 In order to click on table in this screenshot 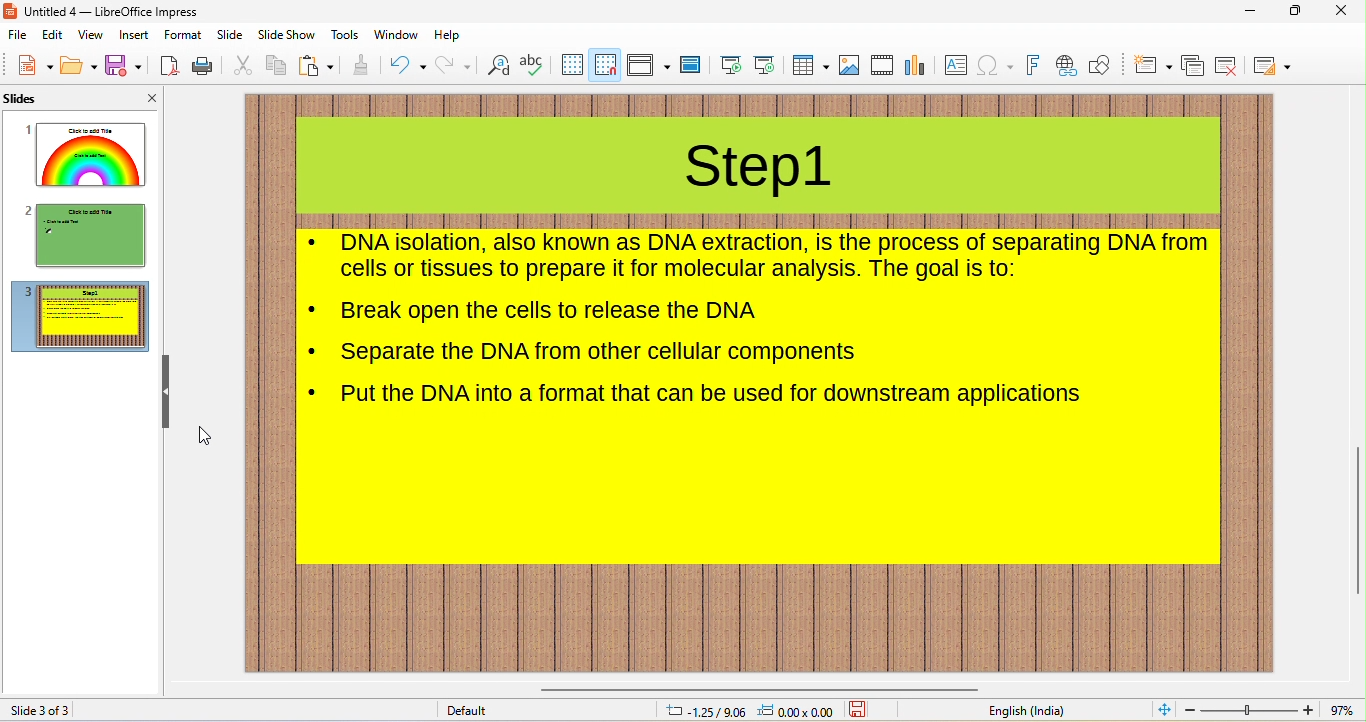, I will do `click(809, 66)`.